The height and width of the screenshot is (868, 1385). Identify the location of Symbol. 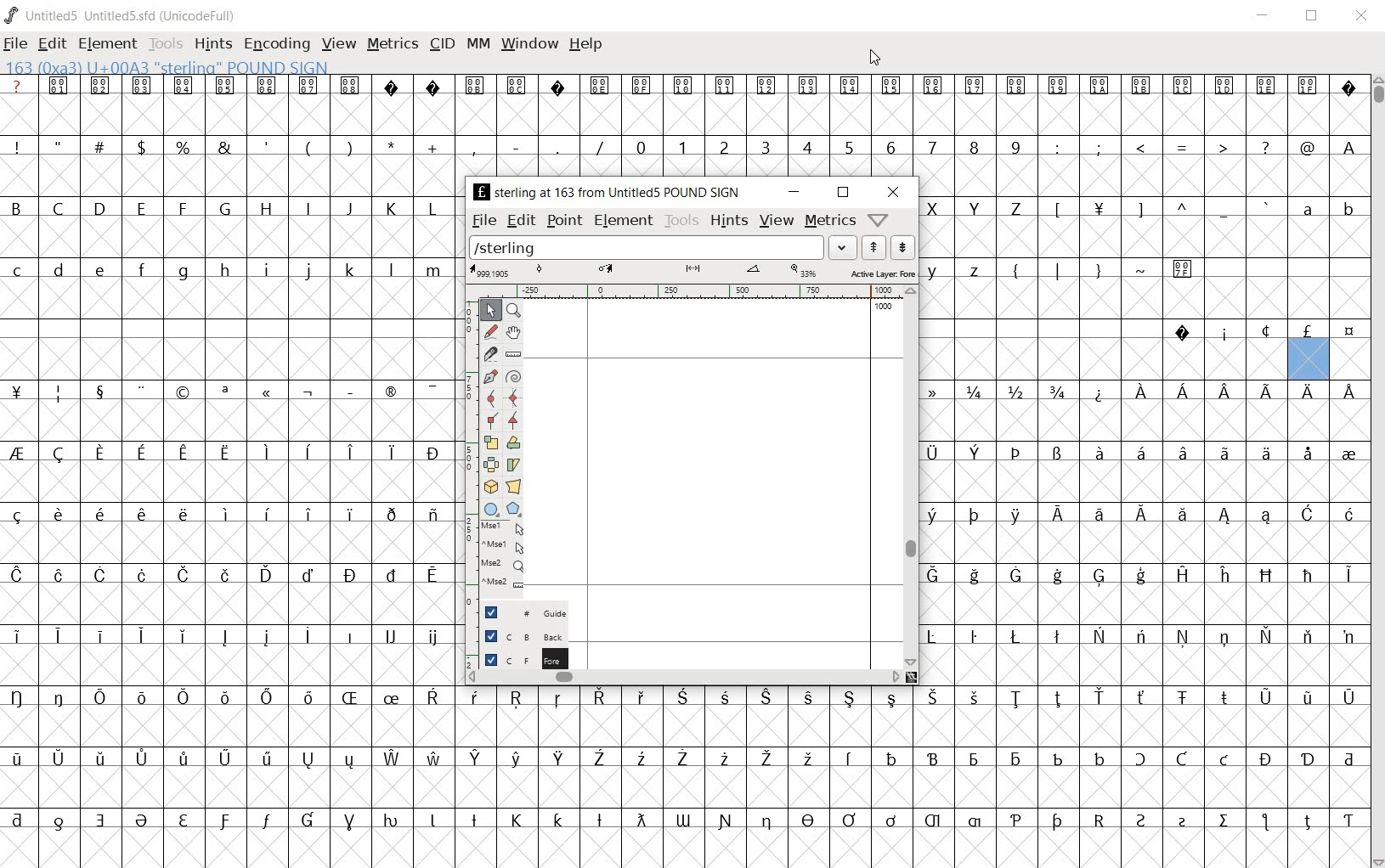
(1348, 516).